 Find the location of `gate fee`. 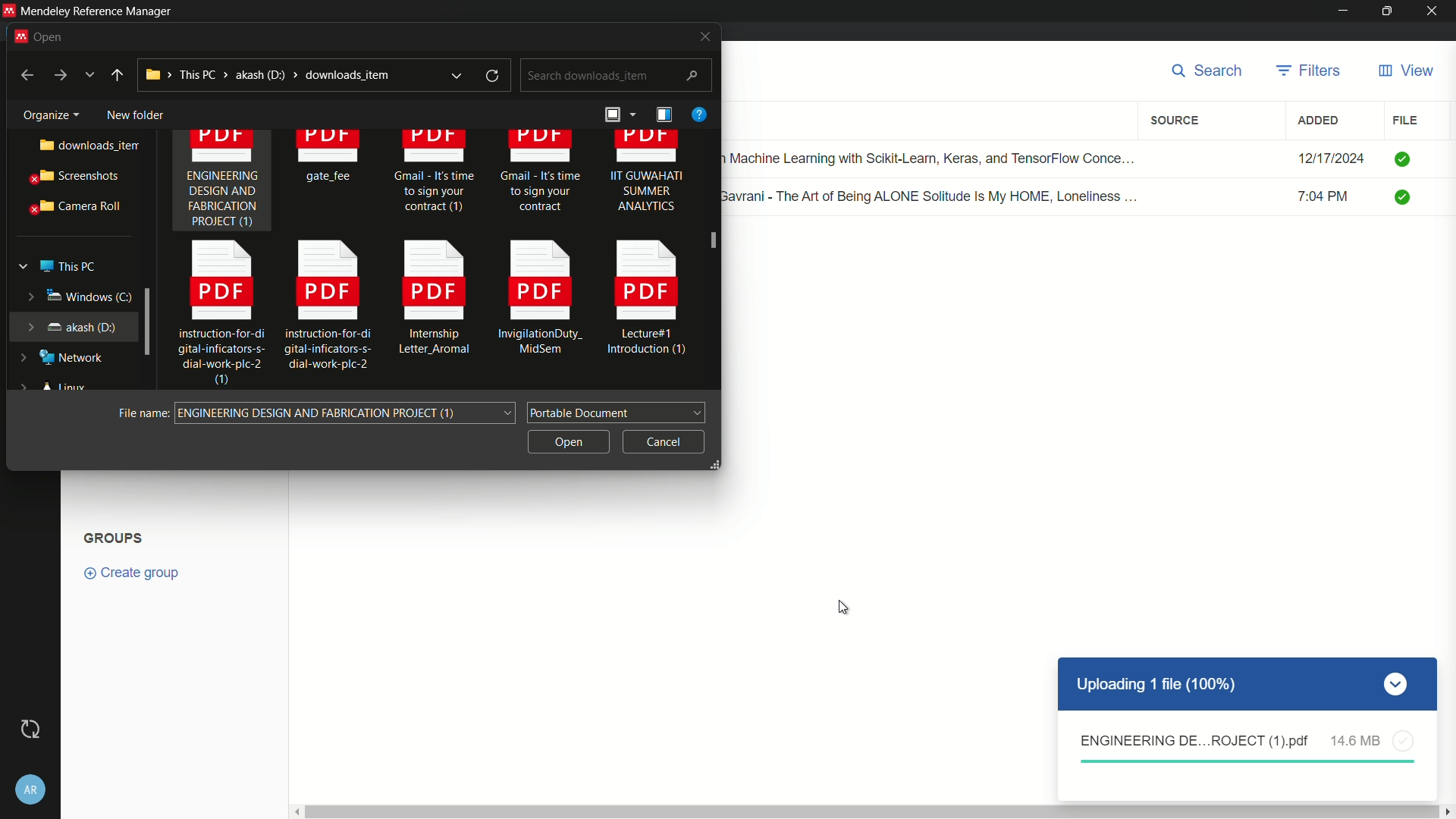

gate fee is located at coordinates (331, 159).